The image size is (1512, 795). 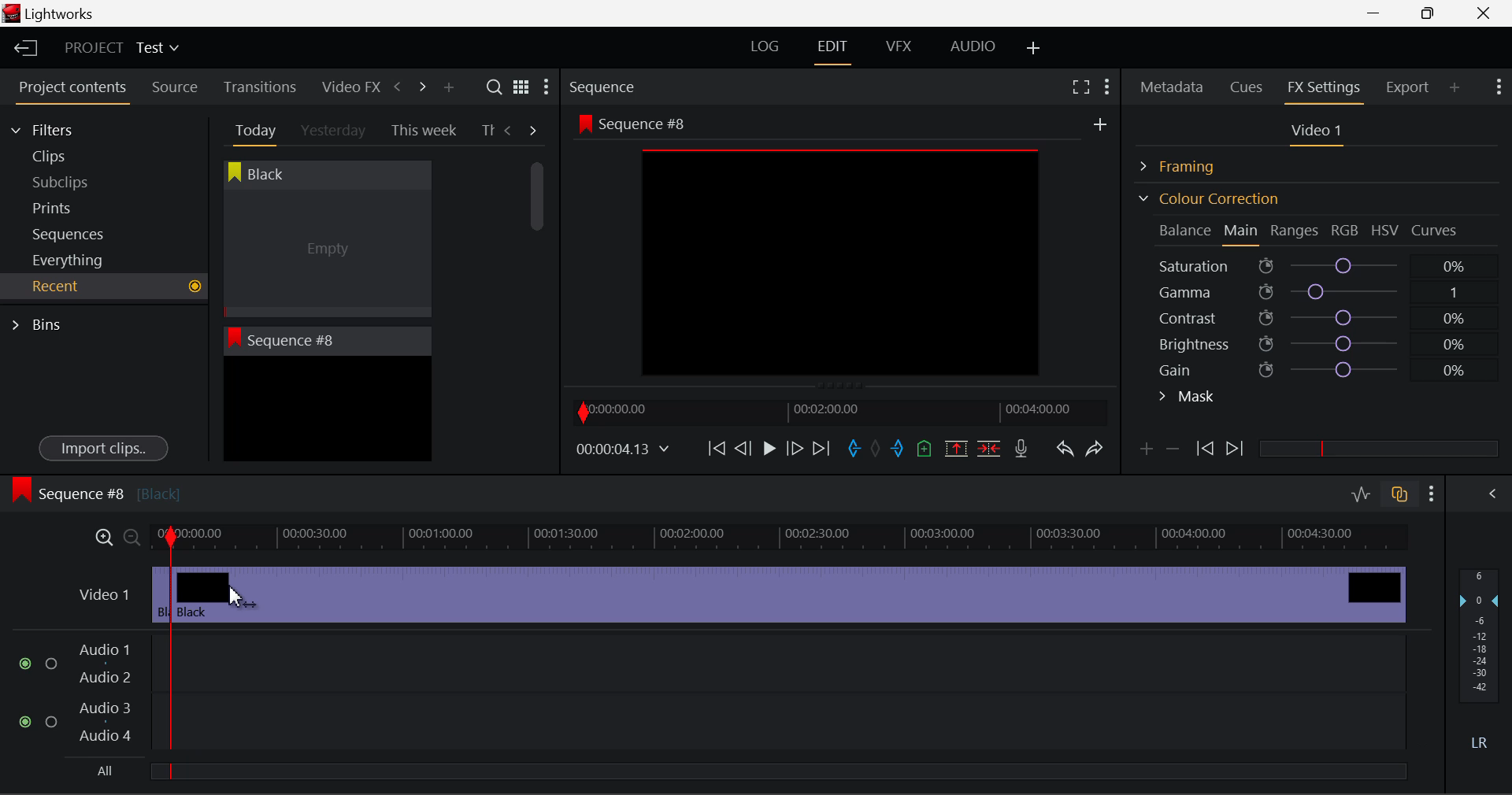 What do you see at coordinates (1187, 230) in the screenshot?
I see `Balance Section` at bounding box center [1187, 230].